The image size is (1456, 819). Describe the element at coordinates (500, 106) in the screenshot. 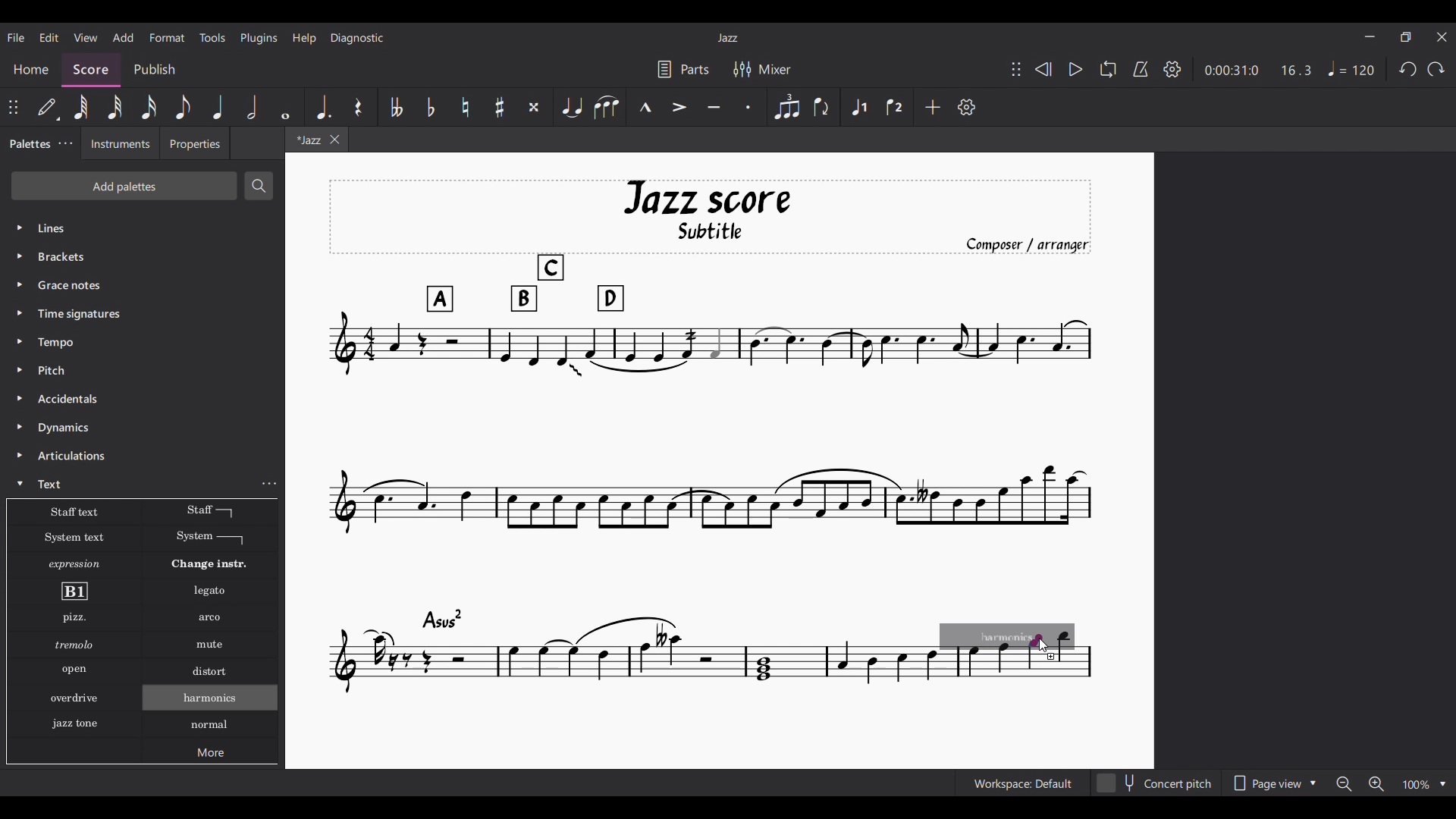

I see `Toggle sharp` at that location.